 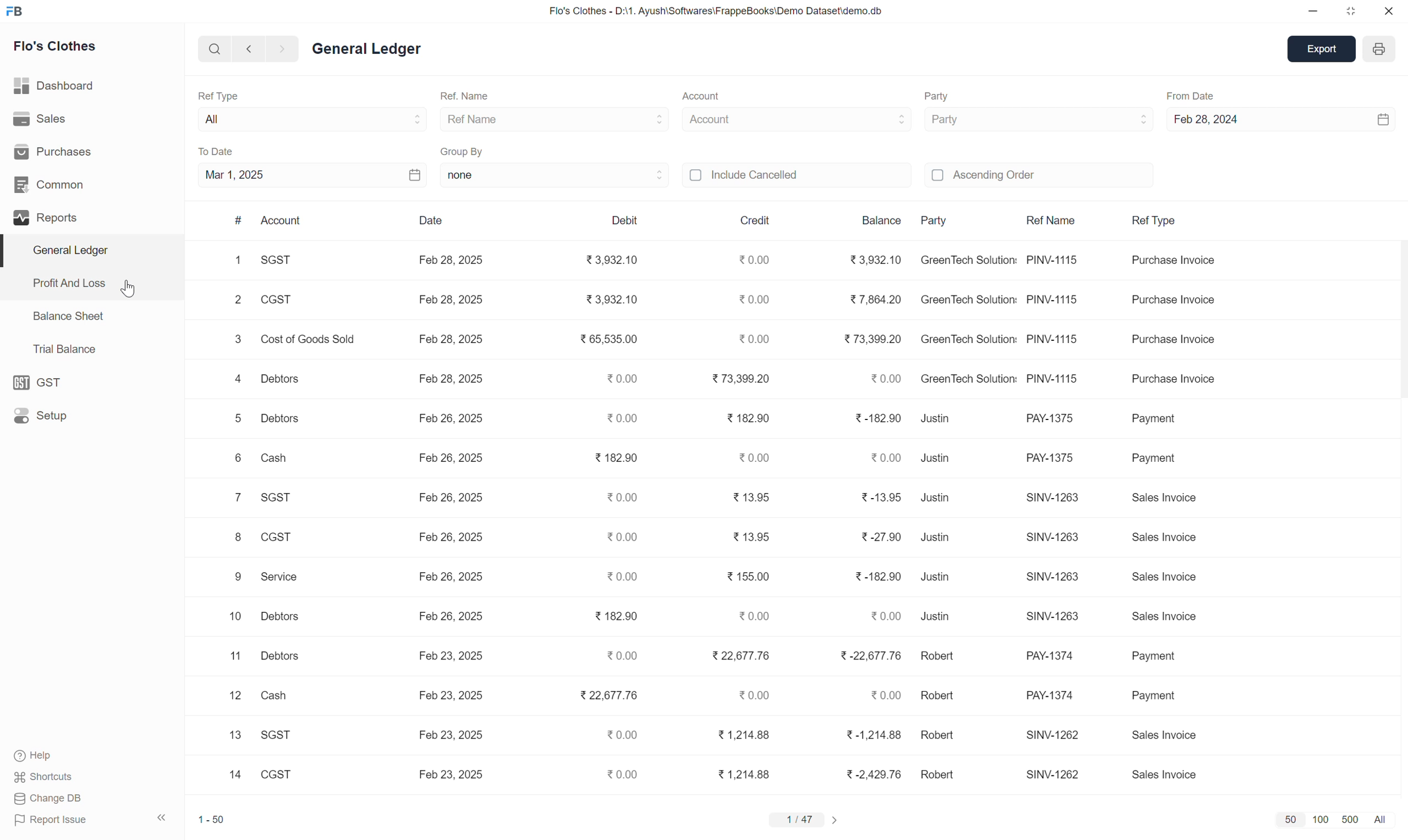 What do you see at coordinates (133, 282) in the screenshot?
I see `Cursor` at bounding box center [133, 282].